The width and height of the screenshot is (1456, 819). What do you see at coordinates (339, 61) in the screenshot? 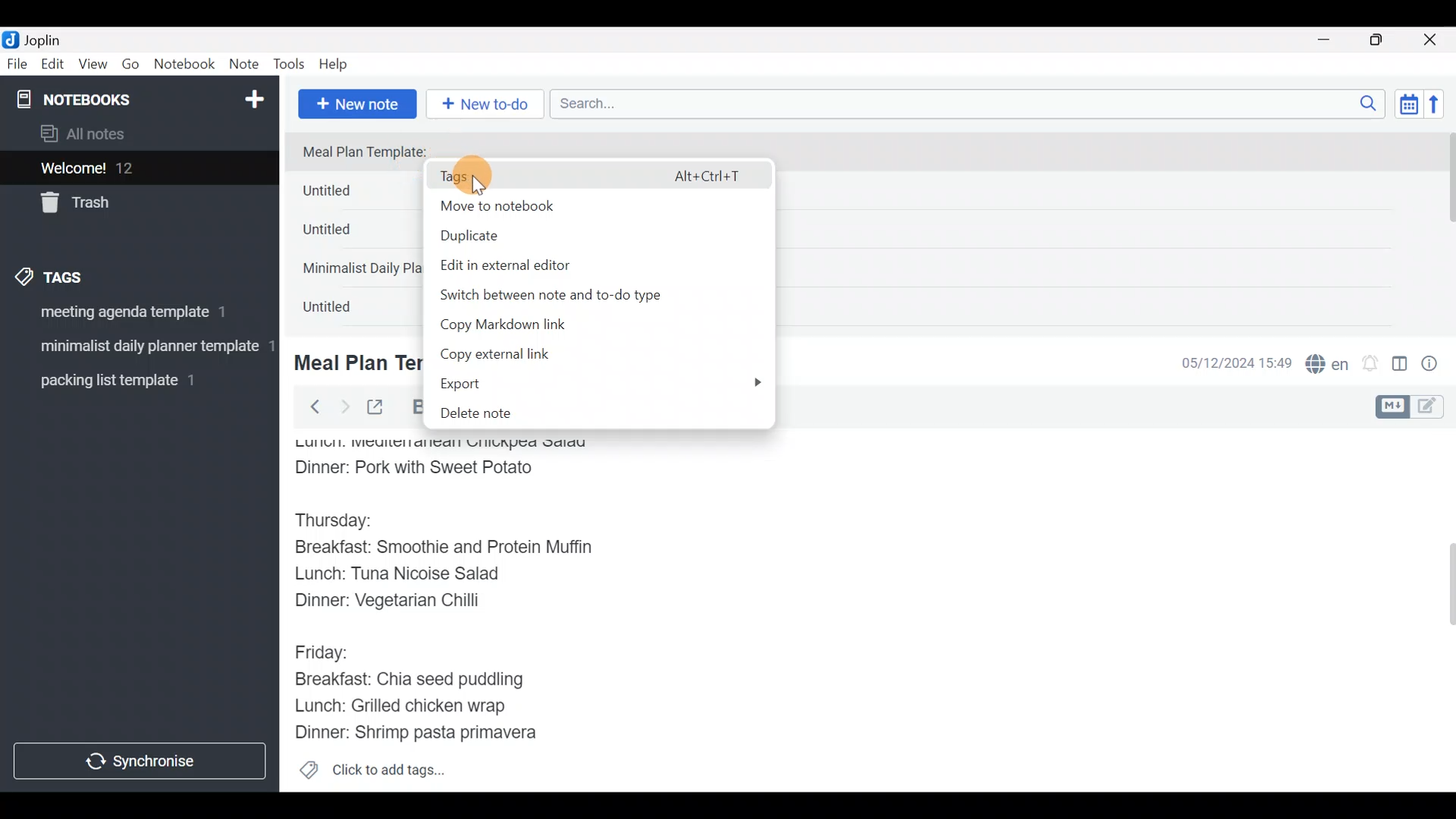
I see `Help` at bounding box center [339, 61].